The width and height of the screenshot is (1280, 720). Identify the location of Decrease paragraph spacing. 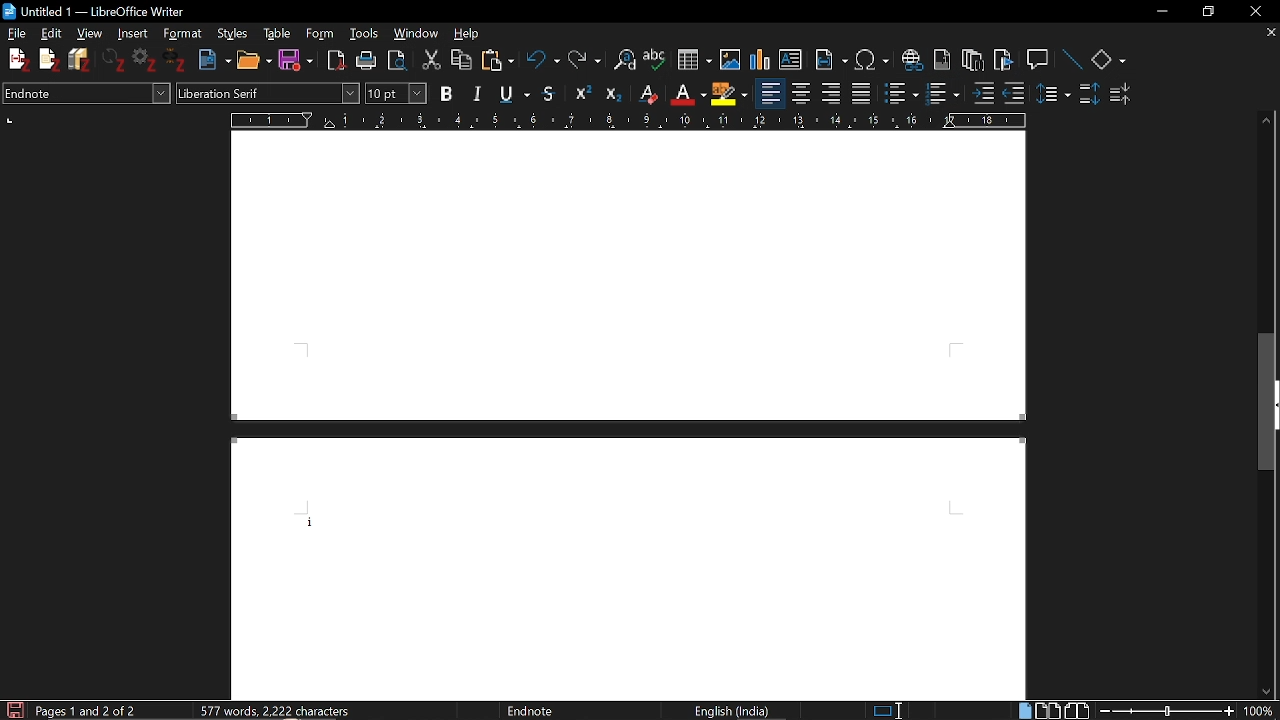
(1123, 97).